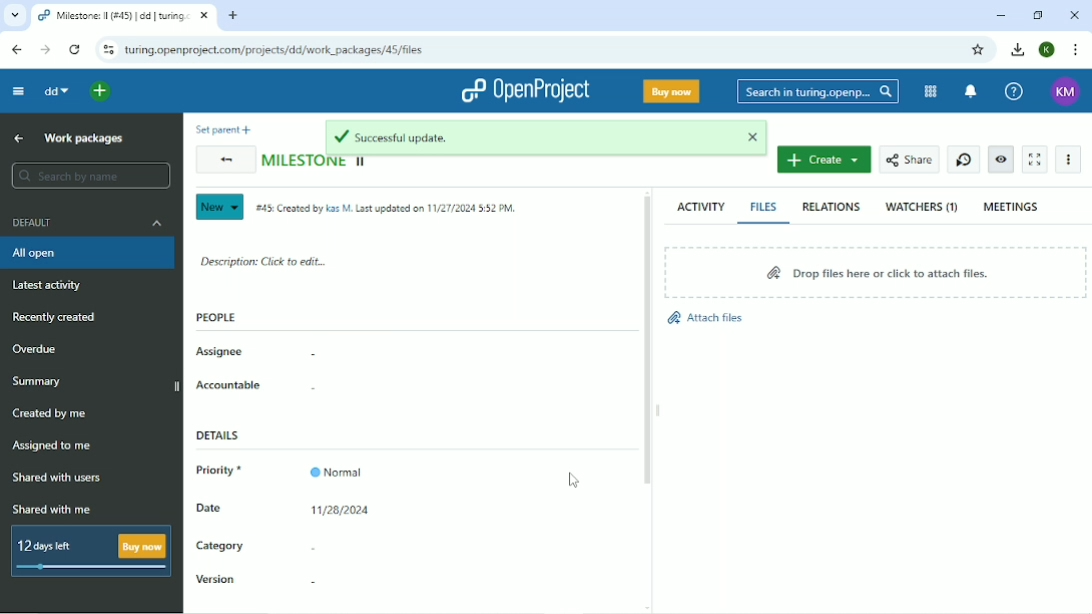  Describe the element at coordinates (1001, 15) in the screenshot. I see `Minimize` at that location.